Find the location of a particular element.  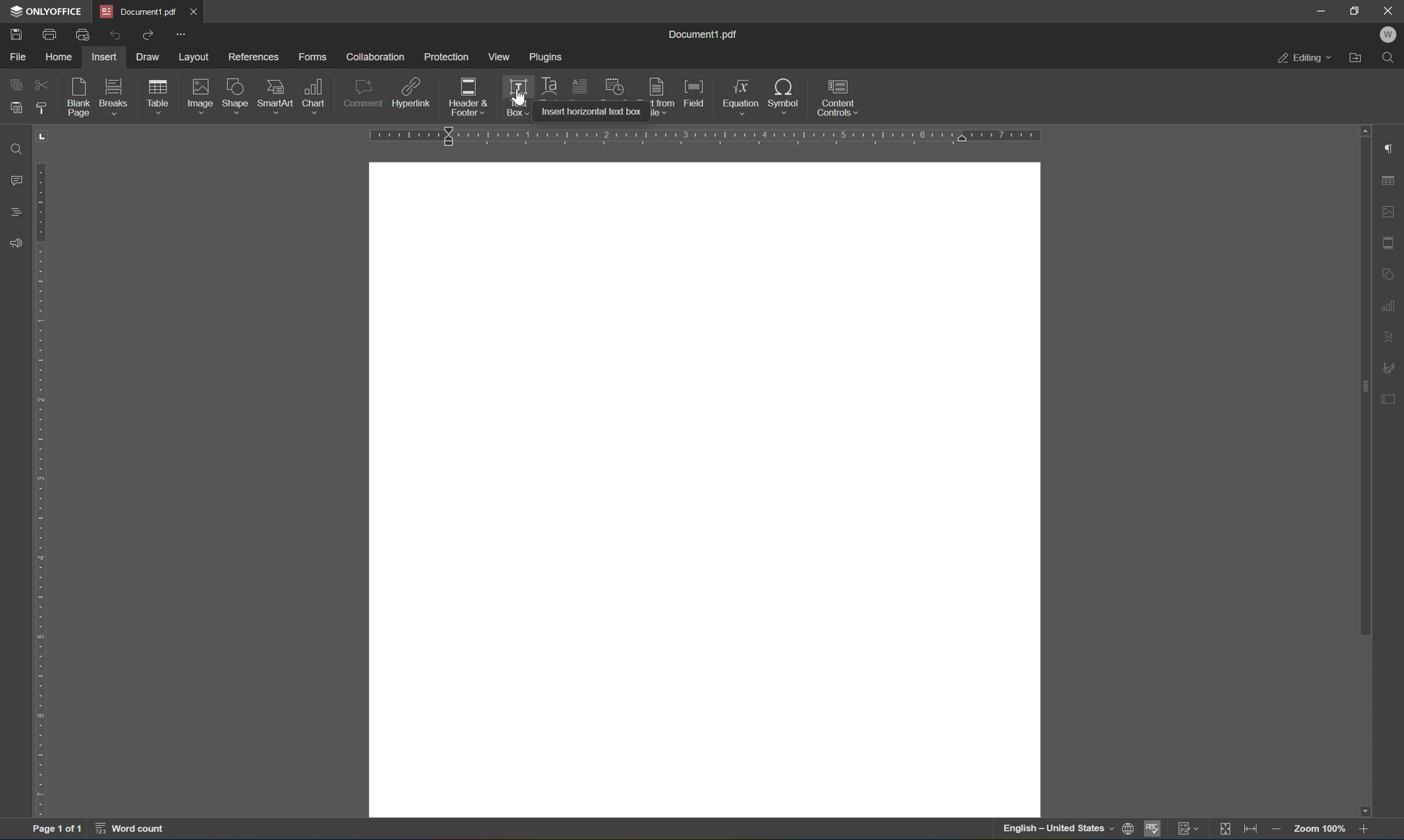

Feedback and support is located at coordinates (14, 243).